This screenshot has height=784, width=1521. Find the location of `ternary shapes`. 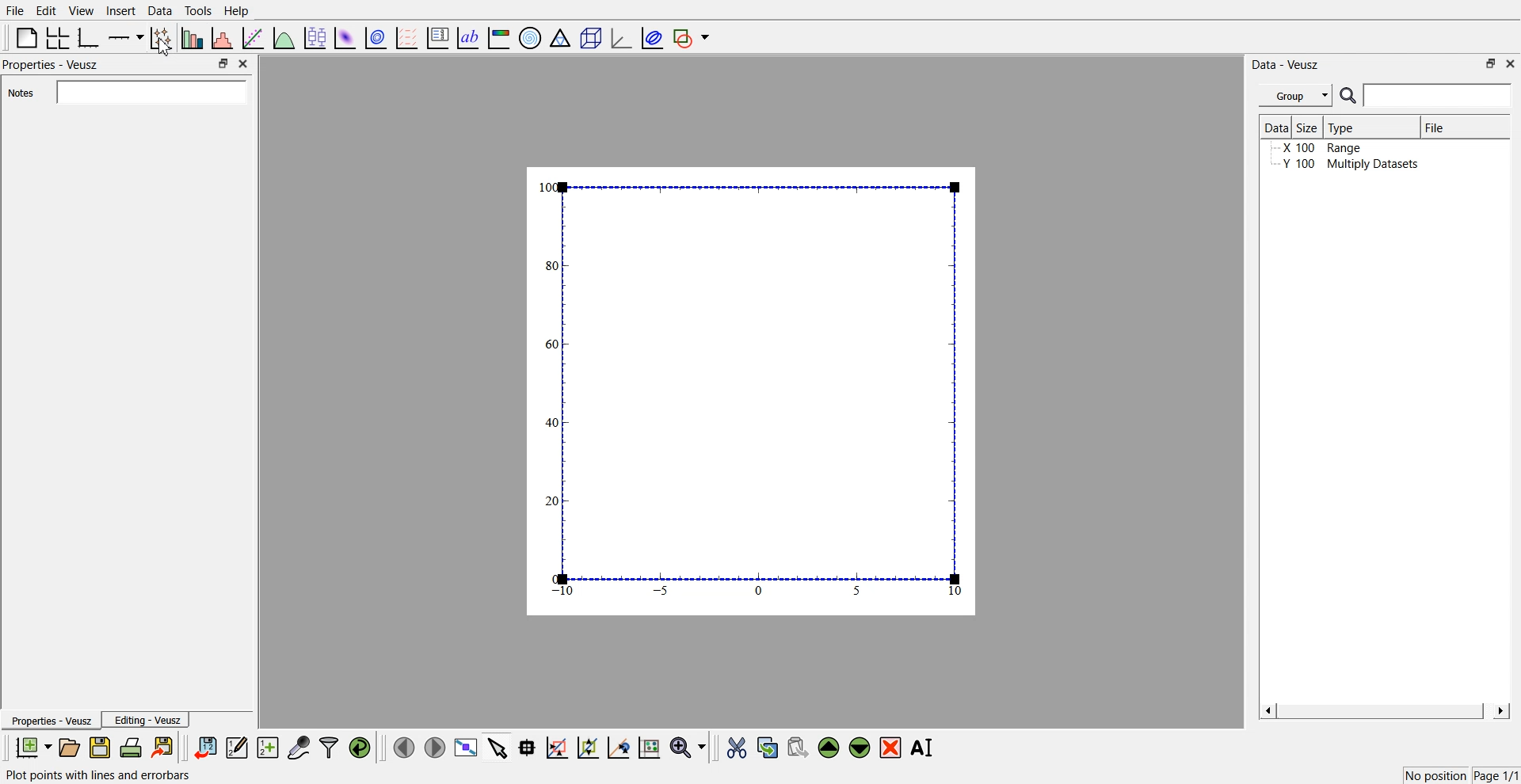

ternary shapes is located at coordinates (558, 40).